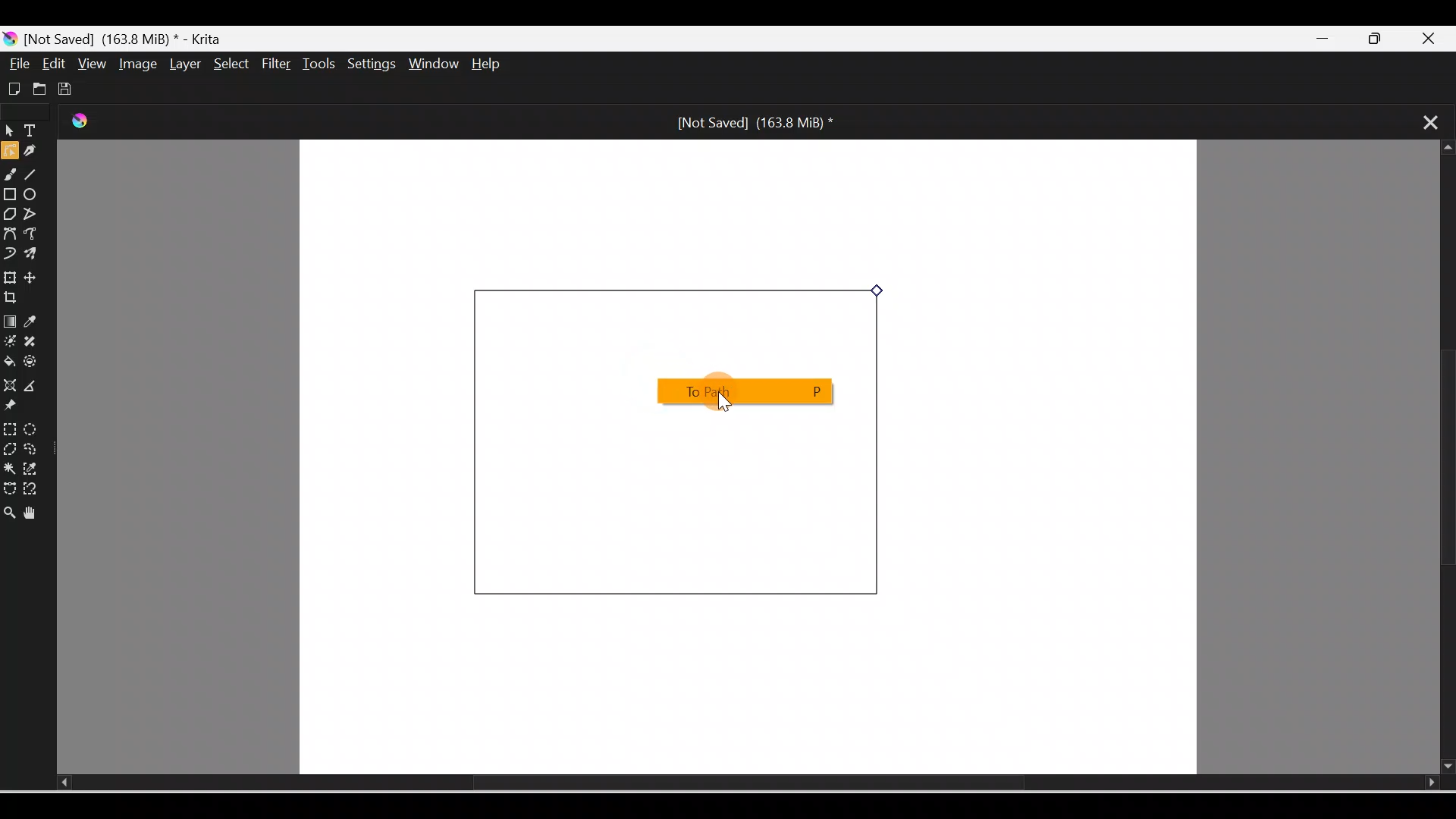  Describe the element at coordinates (89, 63) in the screenshot. I see `View` at that location.